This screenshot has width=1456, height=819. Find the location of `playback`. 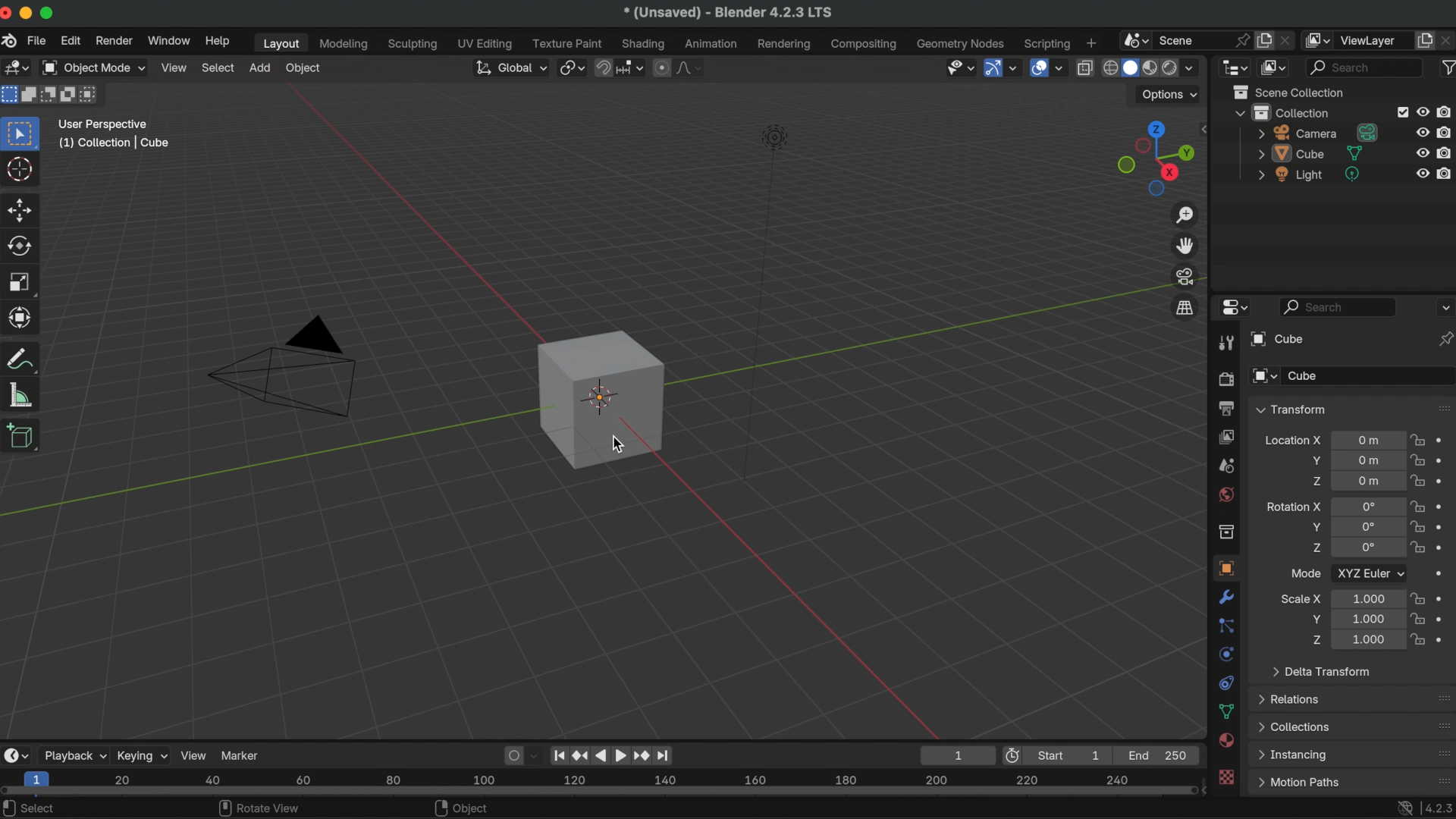

playback is located at coordinates (74, 755).